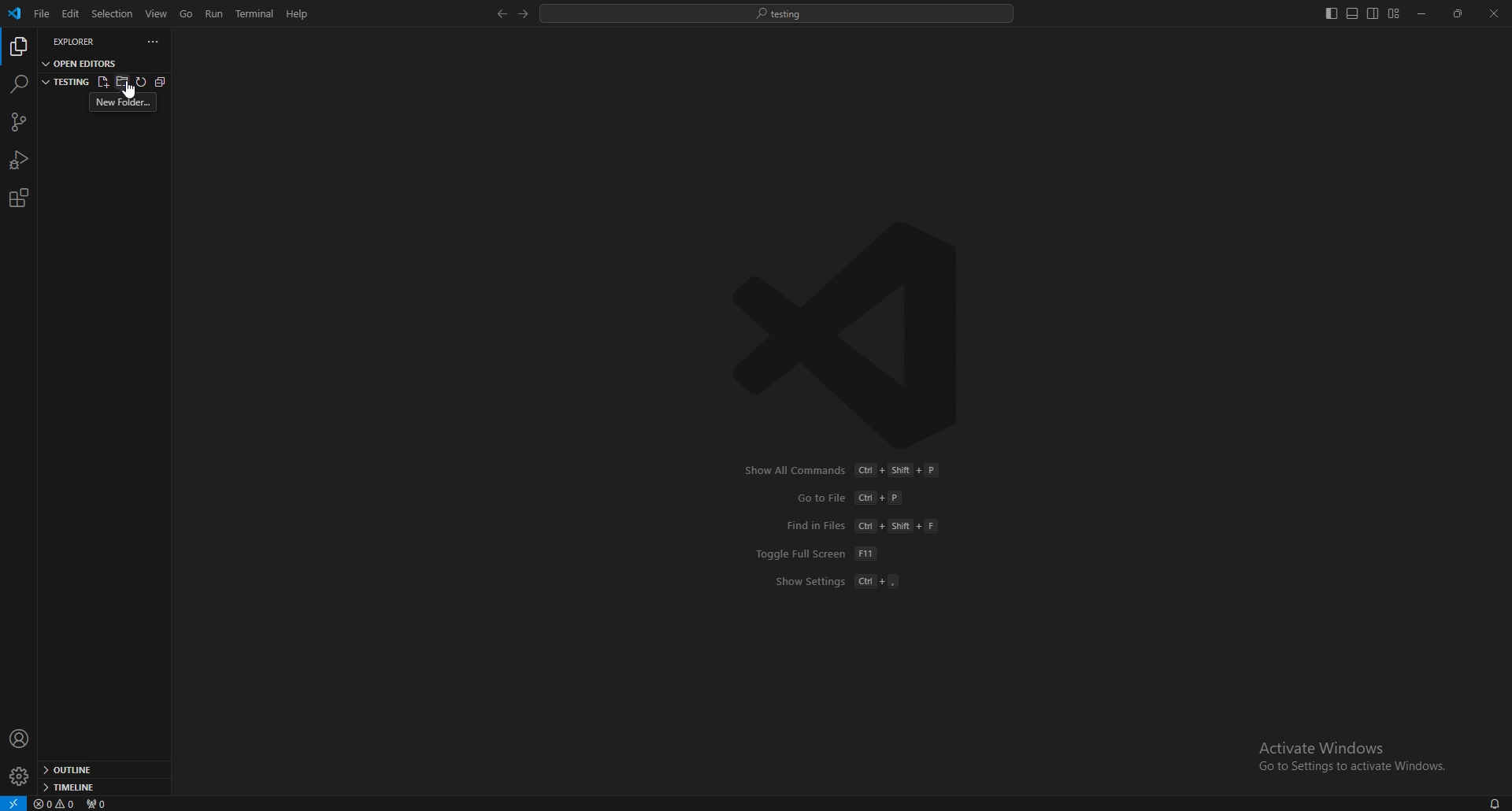 The width and height of the screenshot is (1512, 811). Describe the element at coordinates (132, 90) in the screenshot. I see `cursor` at that location.